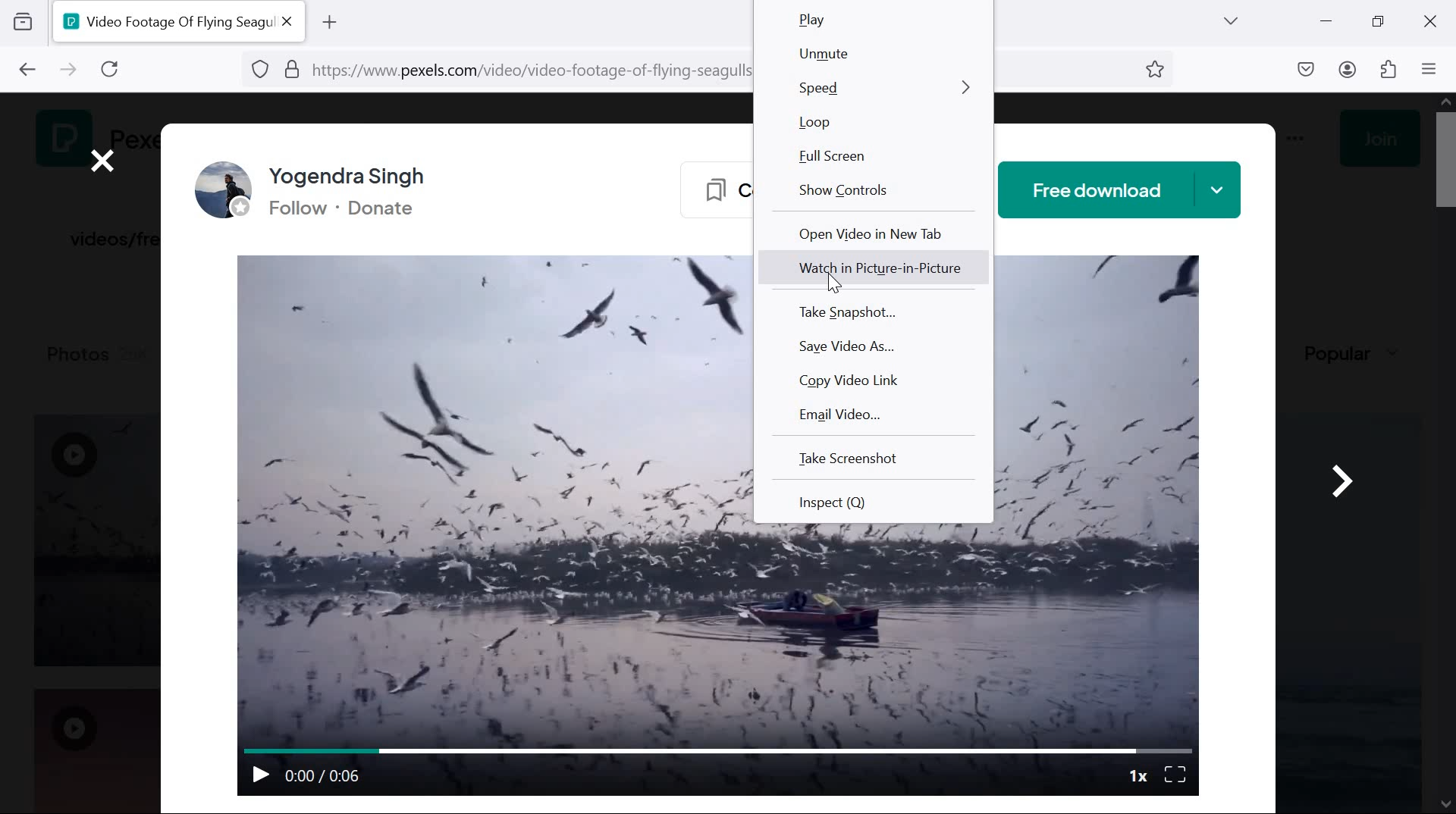  What do you see at coordinates (1443, 456) in the screenshot?
I see `scrollbar` at bounding box center [1443, 456].